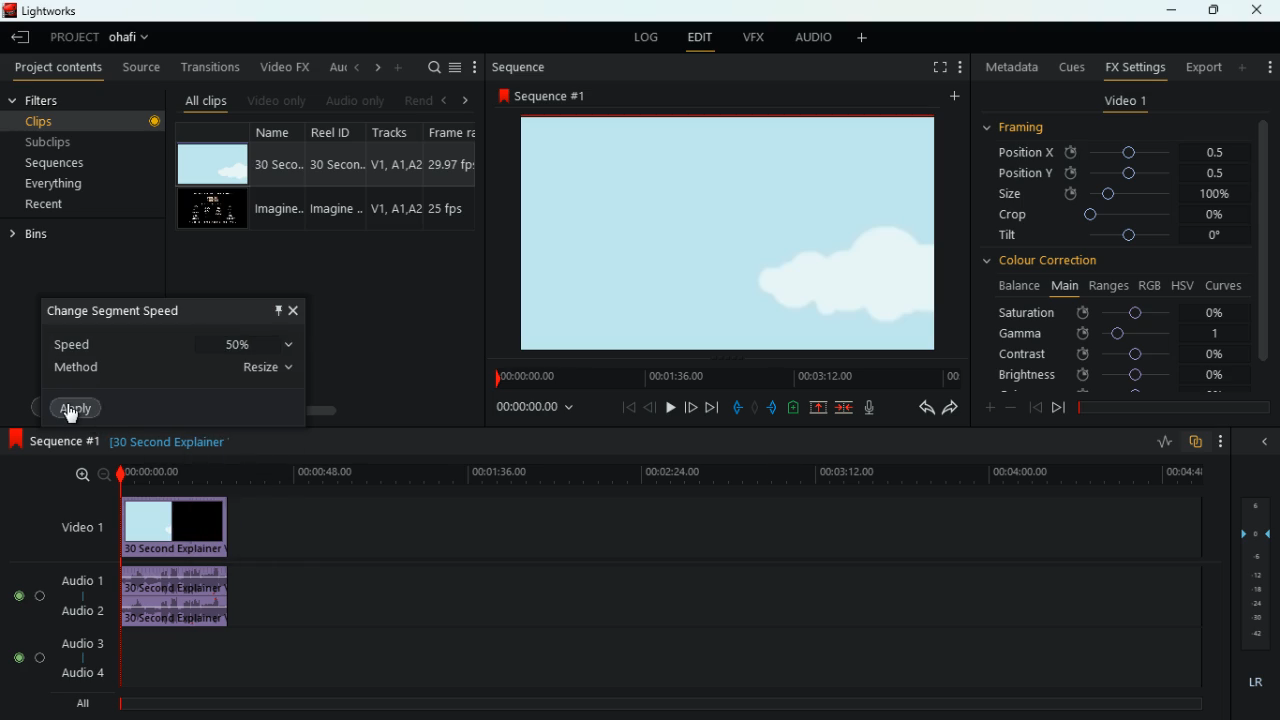 The height and width of the screenshot is (720, 1280). What do you see at coordinates (820, 407) in the screenshot?
I see `up` at bounding box center [820, 407].